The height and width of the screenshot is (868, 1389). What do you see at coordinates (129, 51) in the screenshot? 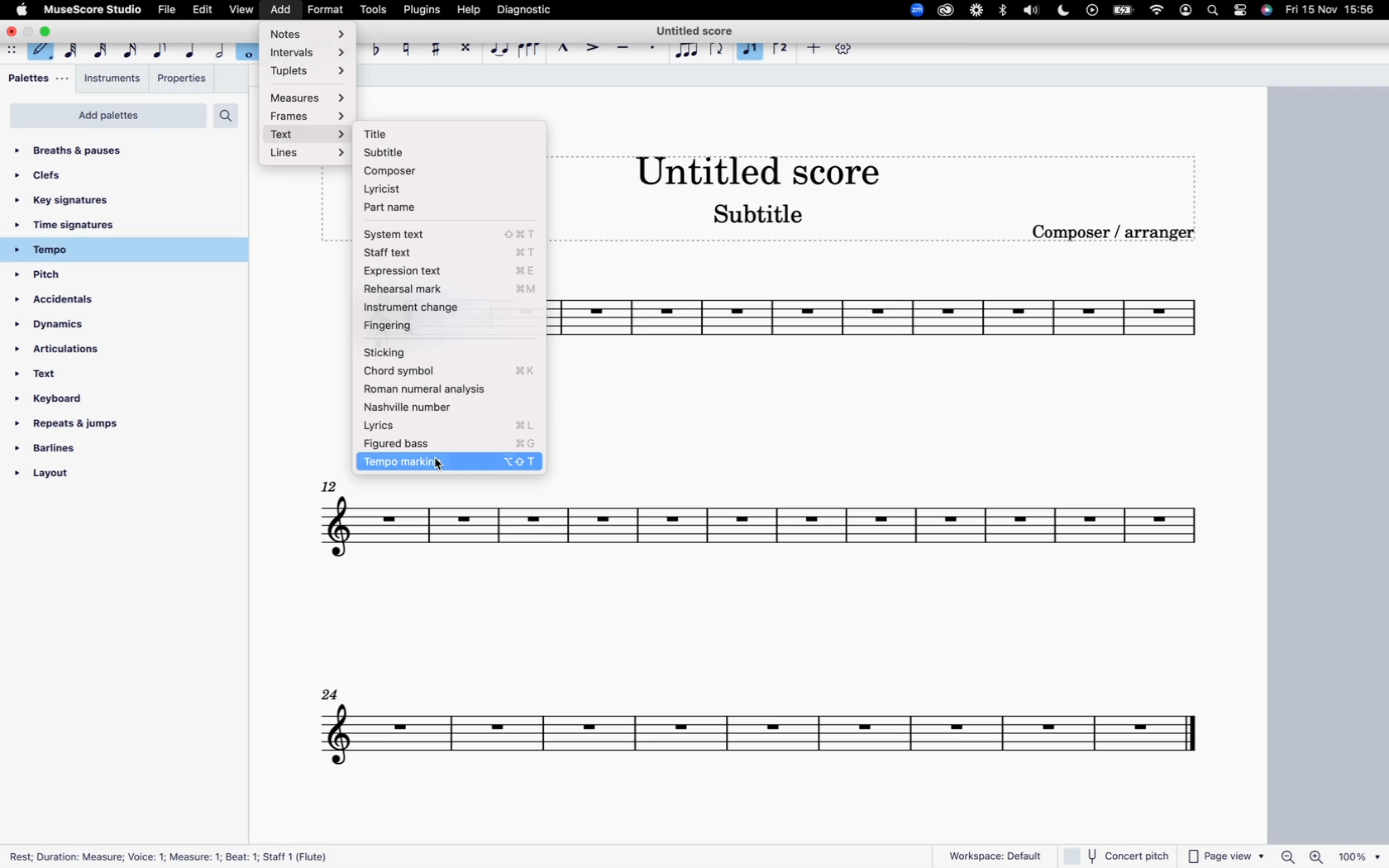
I see `16th note` at bounding box center [129, 51].